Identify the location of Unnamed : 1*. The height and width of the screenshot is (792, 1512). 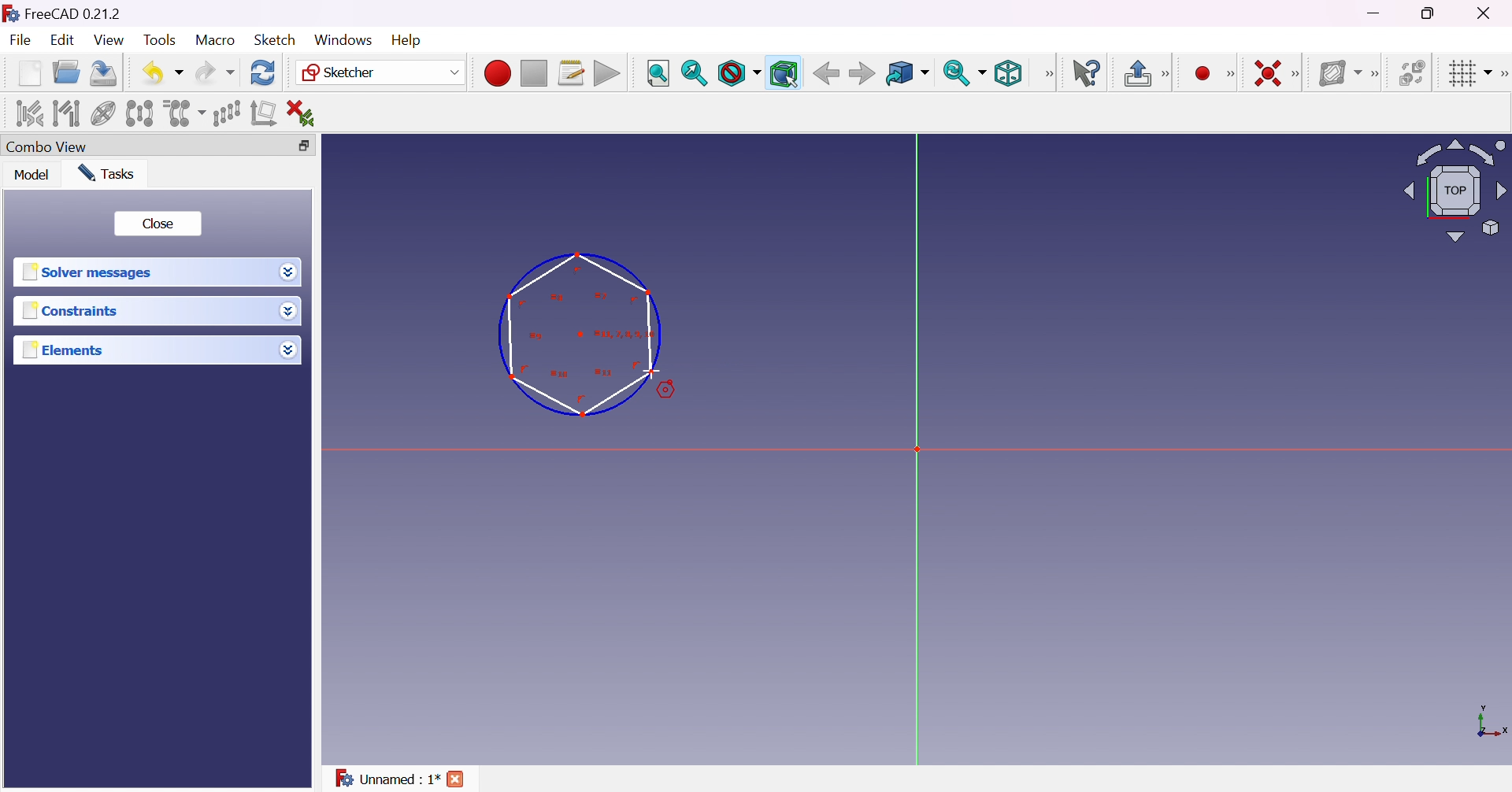
(387, 779).